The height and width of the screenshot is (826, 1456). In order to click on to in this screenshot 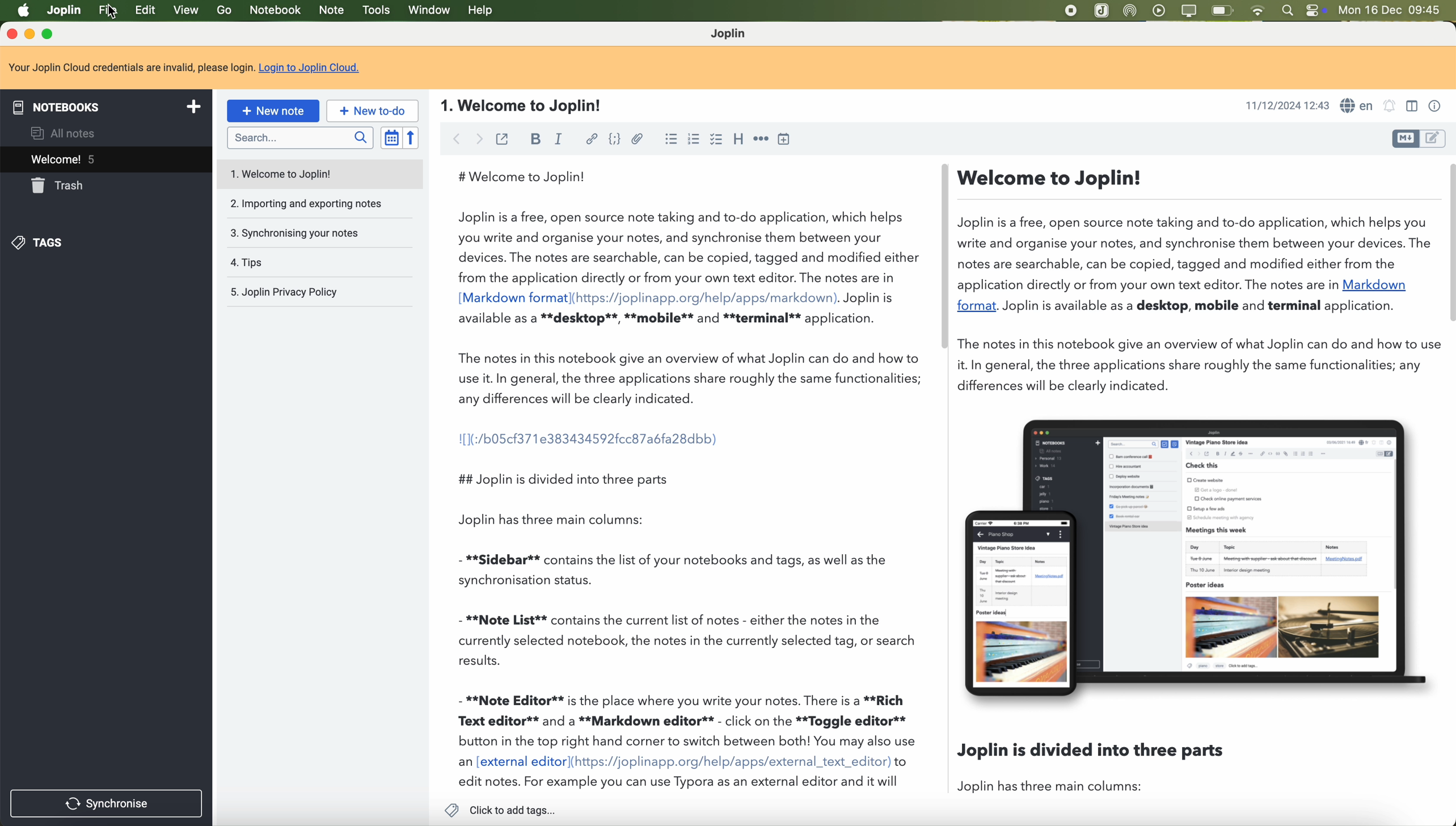, I will do `click(902, 762)`.